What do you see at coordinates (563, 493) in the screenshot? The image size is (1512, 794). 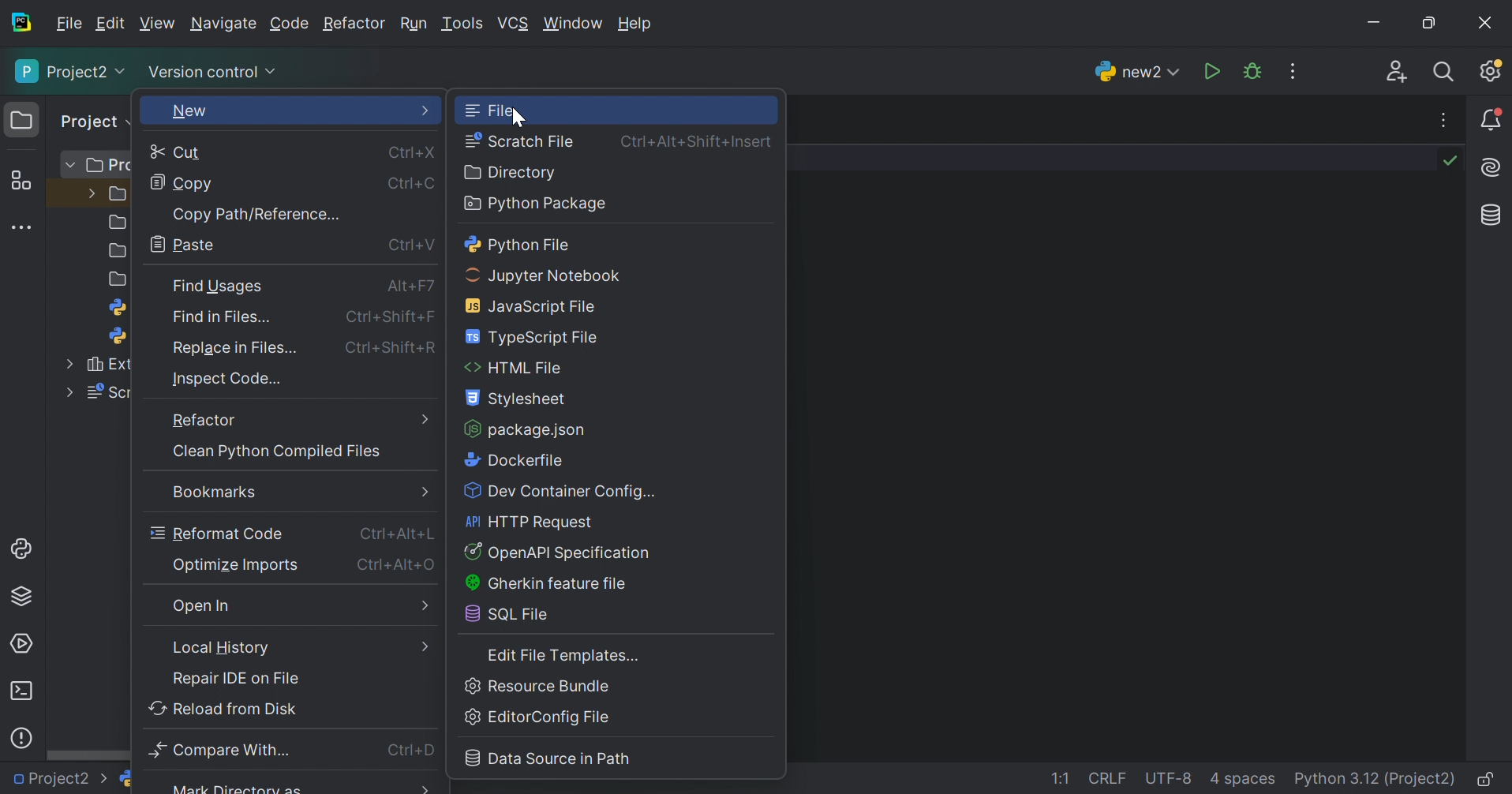 I see `Dev container config` at bounding box center [563, 493].